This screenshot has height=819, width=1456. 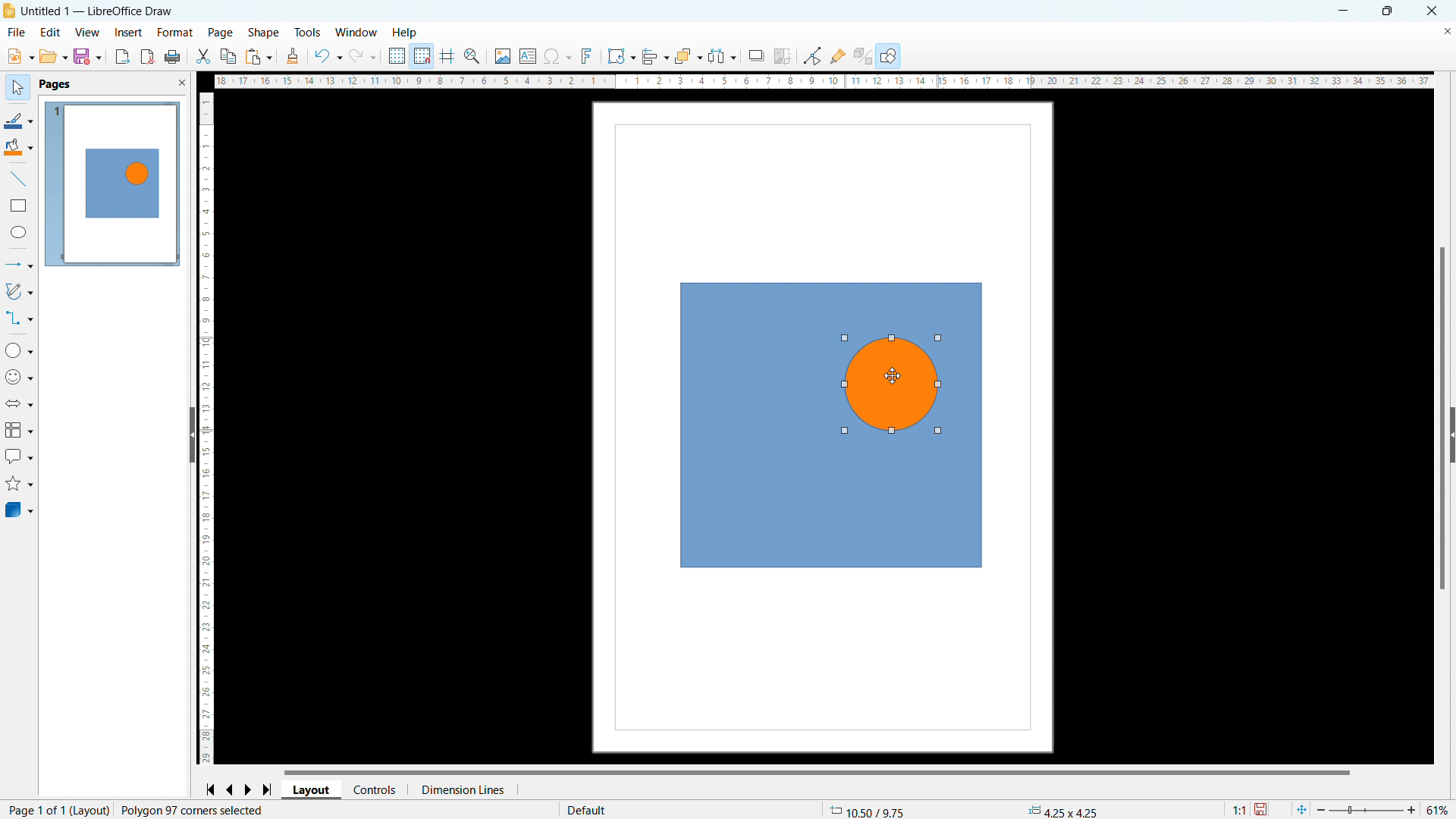 What do you see at coordinates (872, 808) in the screenshot?
I see `10.50/9.7` at bounding box center [872, 808].